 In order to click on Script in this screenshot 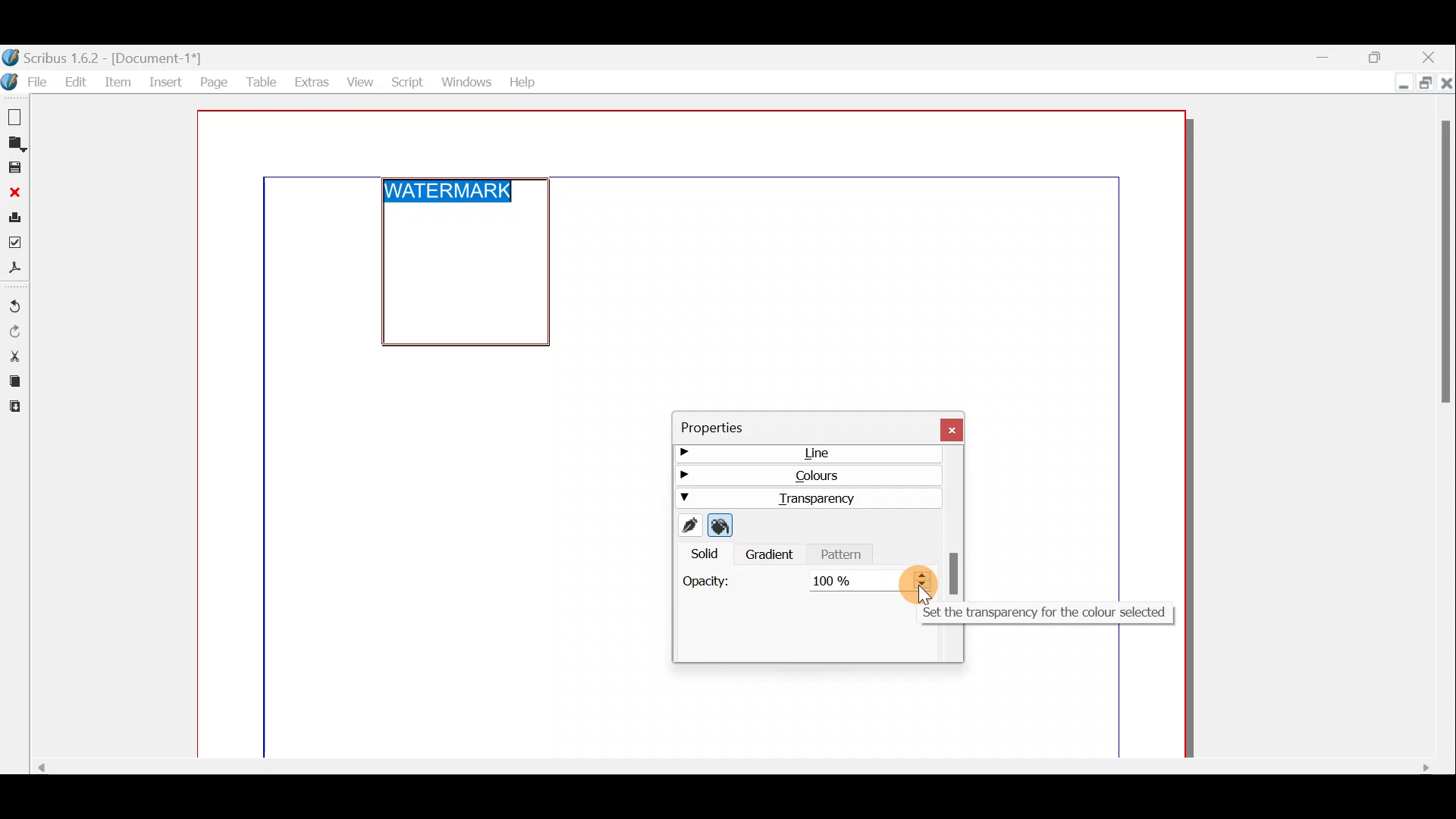, I will do `click(409, 80)`.